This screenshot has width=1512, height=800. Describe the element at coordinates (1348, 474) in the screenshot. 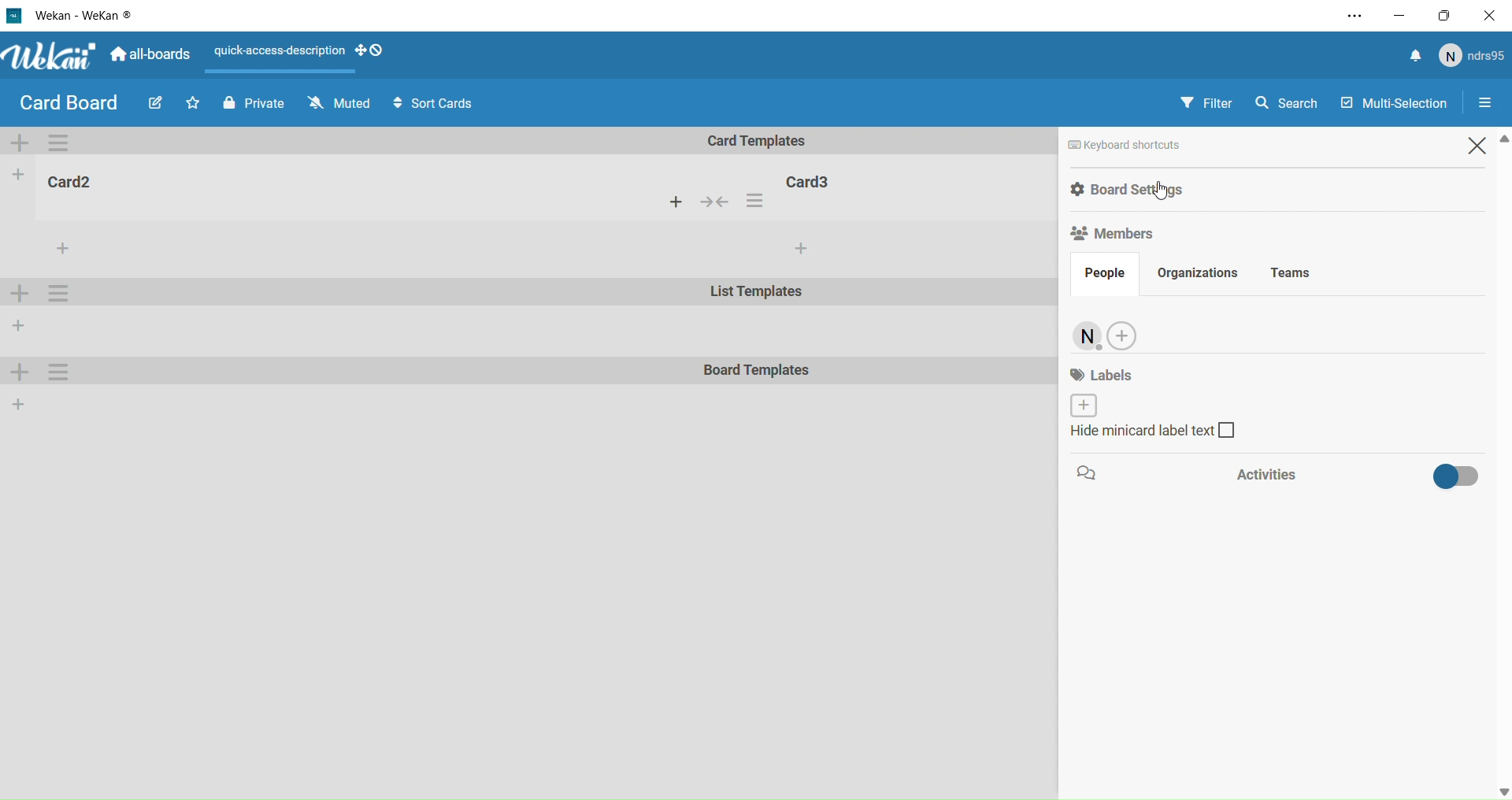

I see `Activities` at that location.